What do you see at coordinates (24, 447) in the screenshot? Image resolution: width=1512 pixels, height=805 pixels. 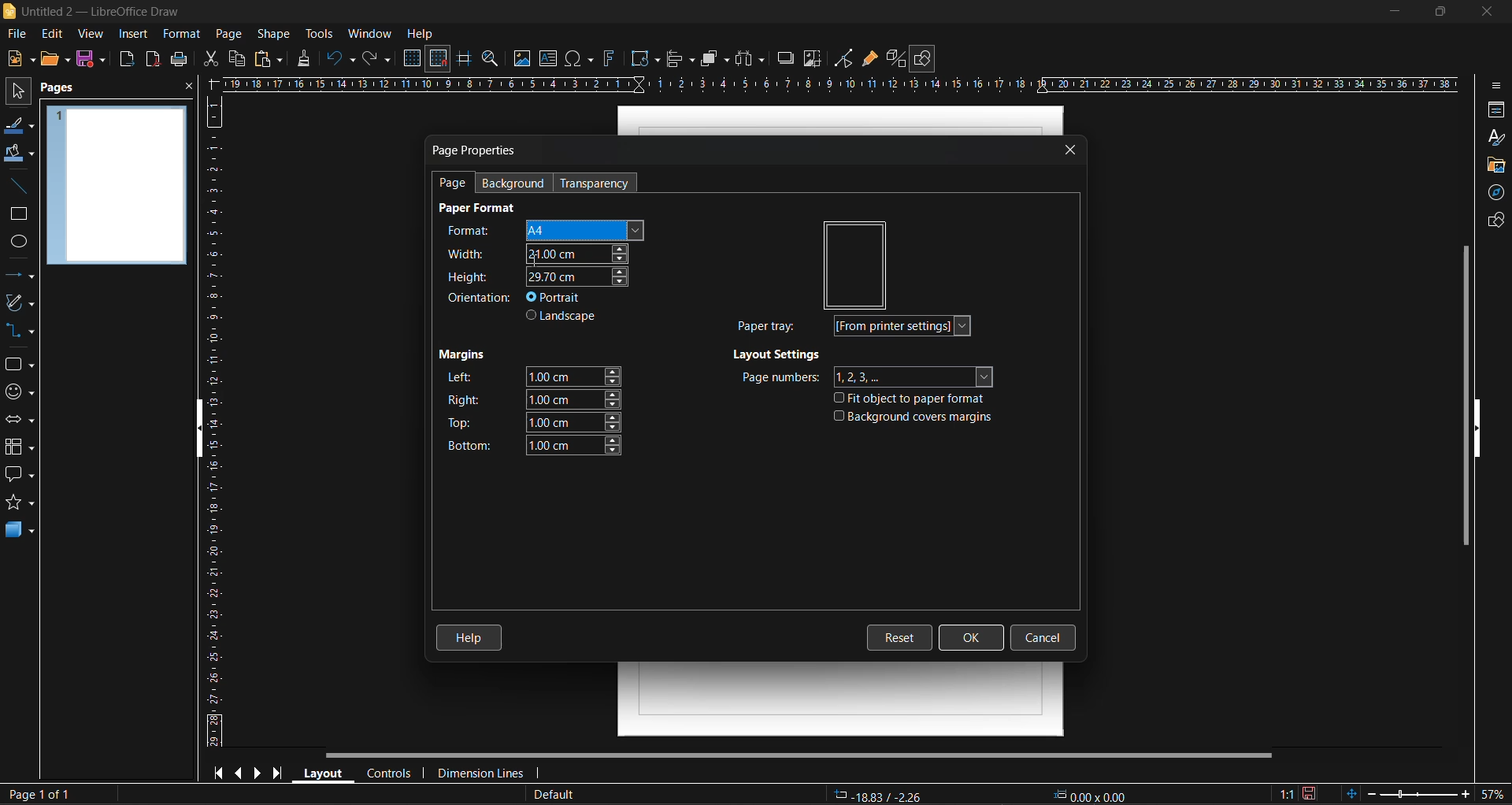 I see `flowcharts` at bounding box center [24, 447].